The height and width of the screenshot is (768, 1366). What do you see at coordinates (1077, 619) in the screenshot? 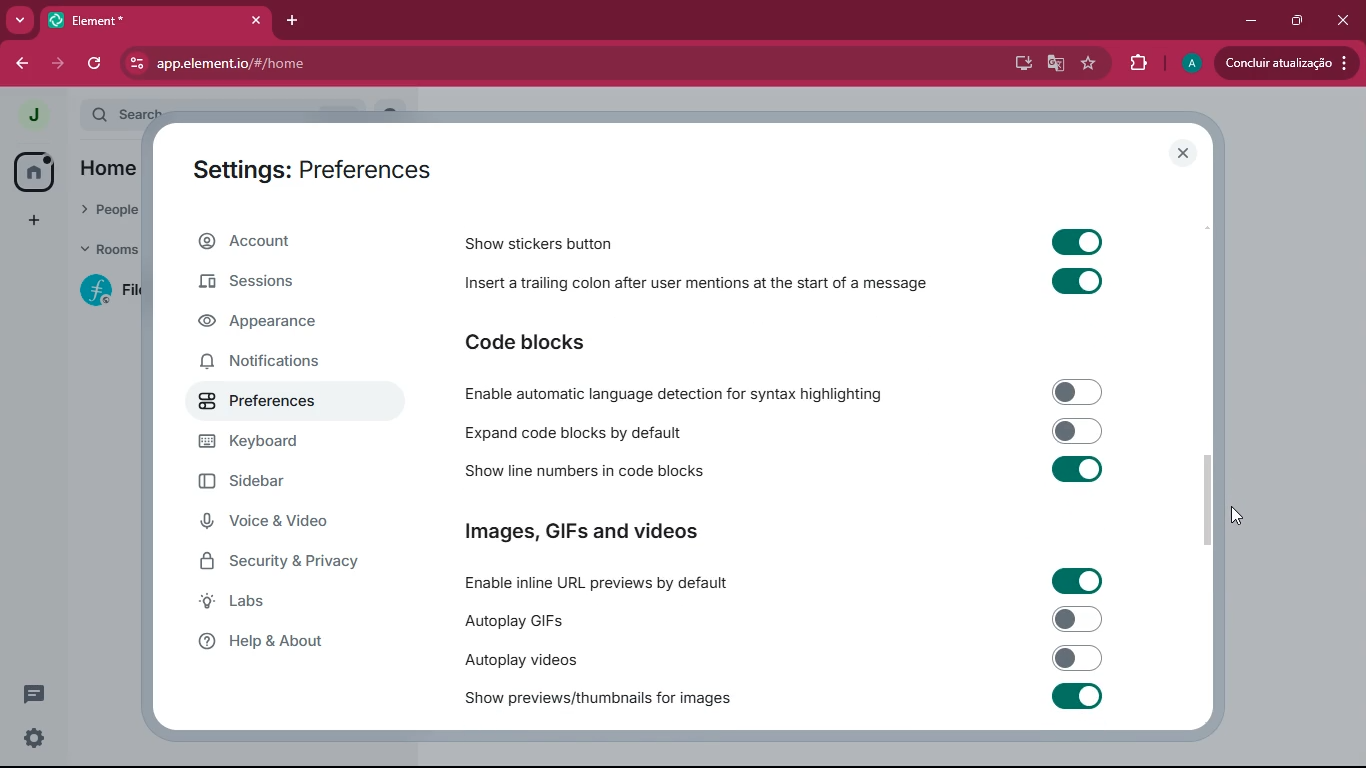
I see `` at bounding box center [1077, 619].